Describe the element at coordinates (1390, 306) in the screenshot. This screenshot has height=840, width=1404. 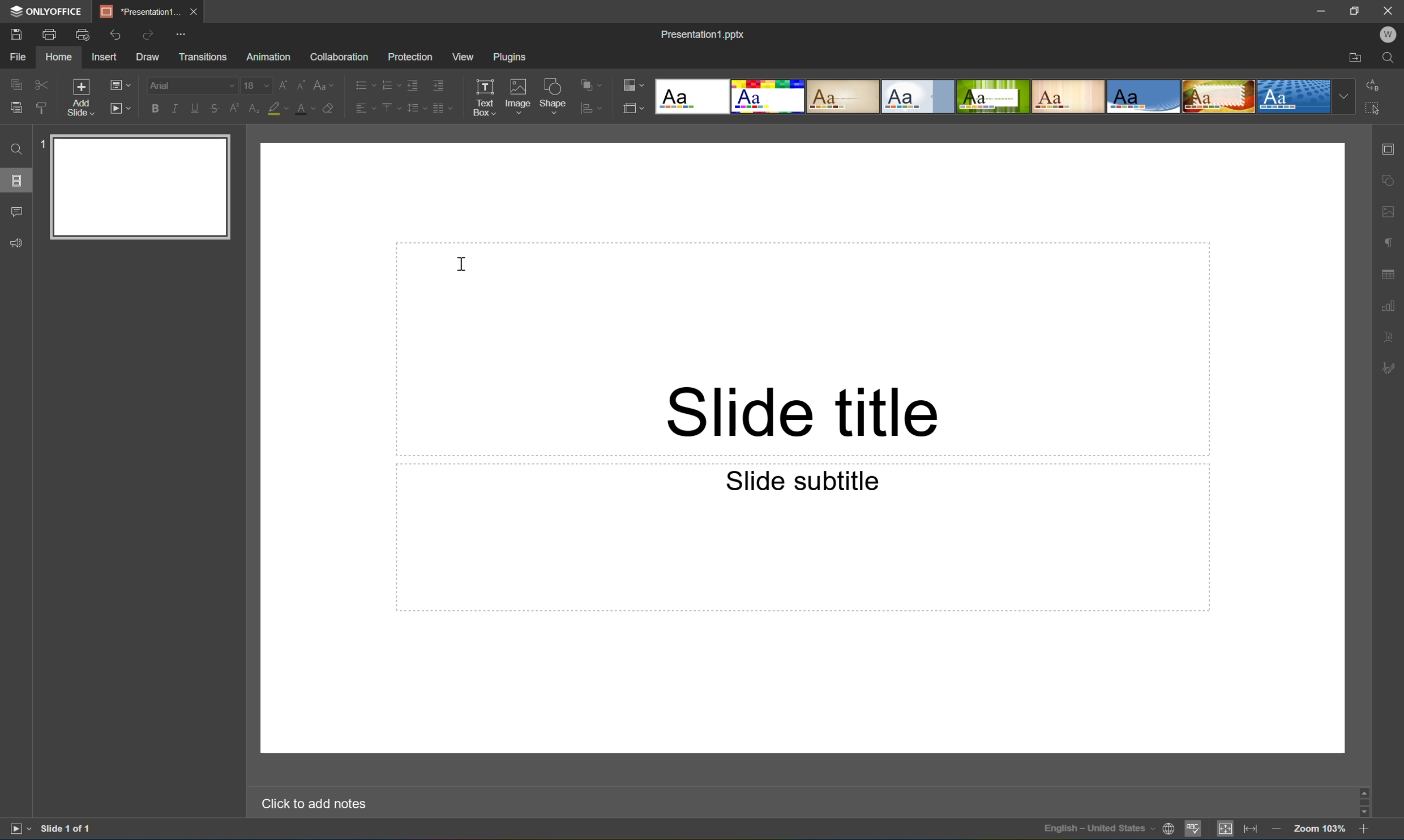
I see `Chart settings` at that location.